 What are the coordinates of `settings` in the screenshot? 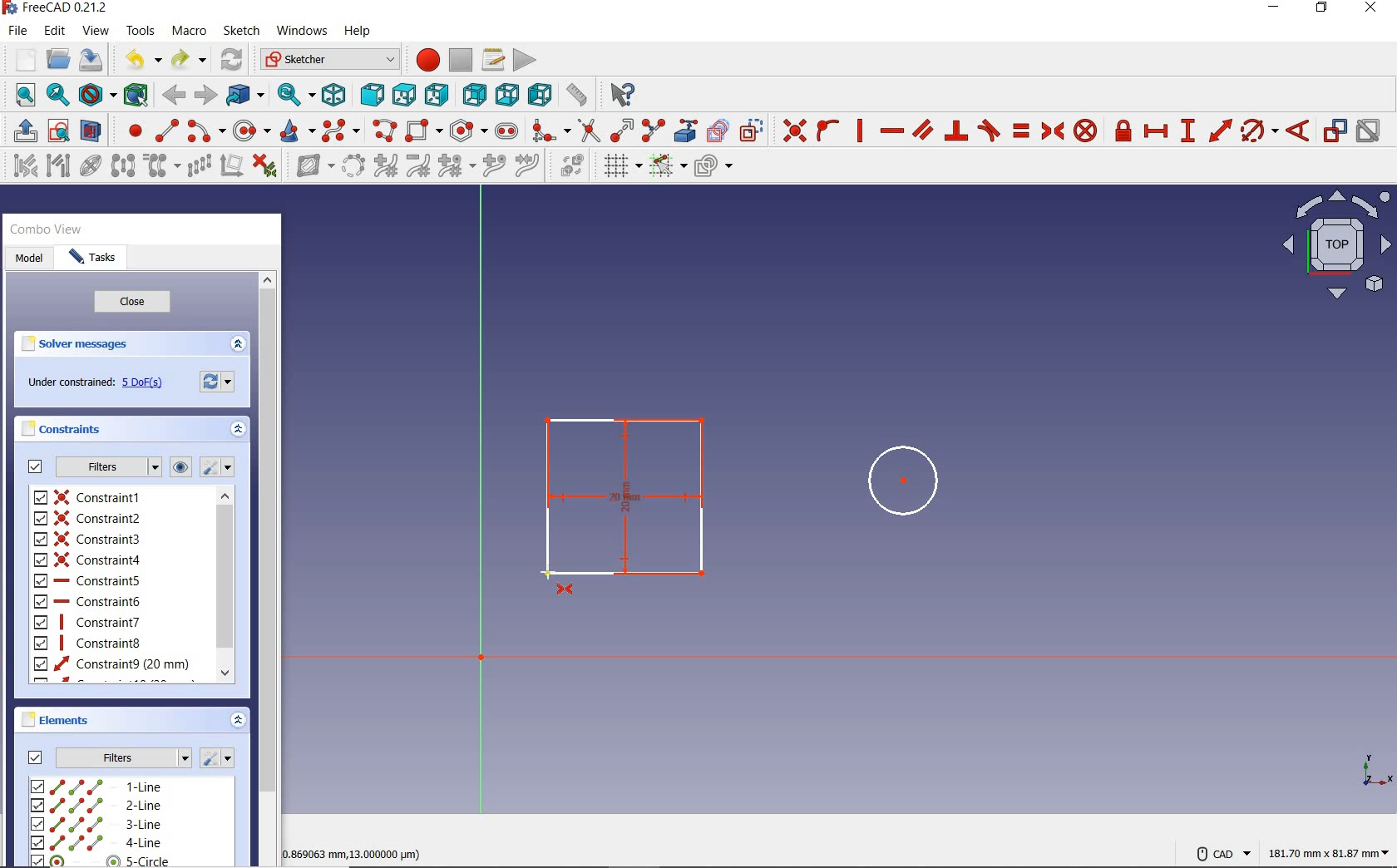 It's located at (219, 467).